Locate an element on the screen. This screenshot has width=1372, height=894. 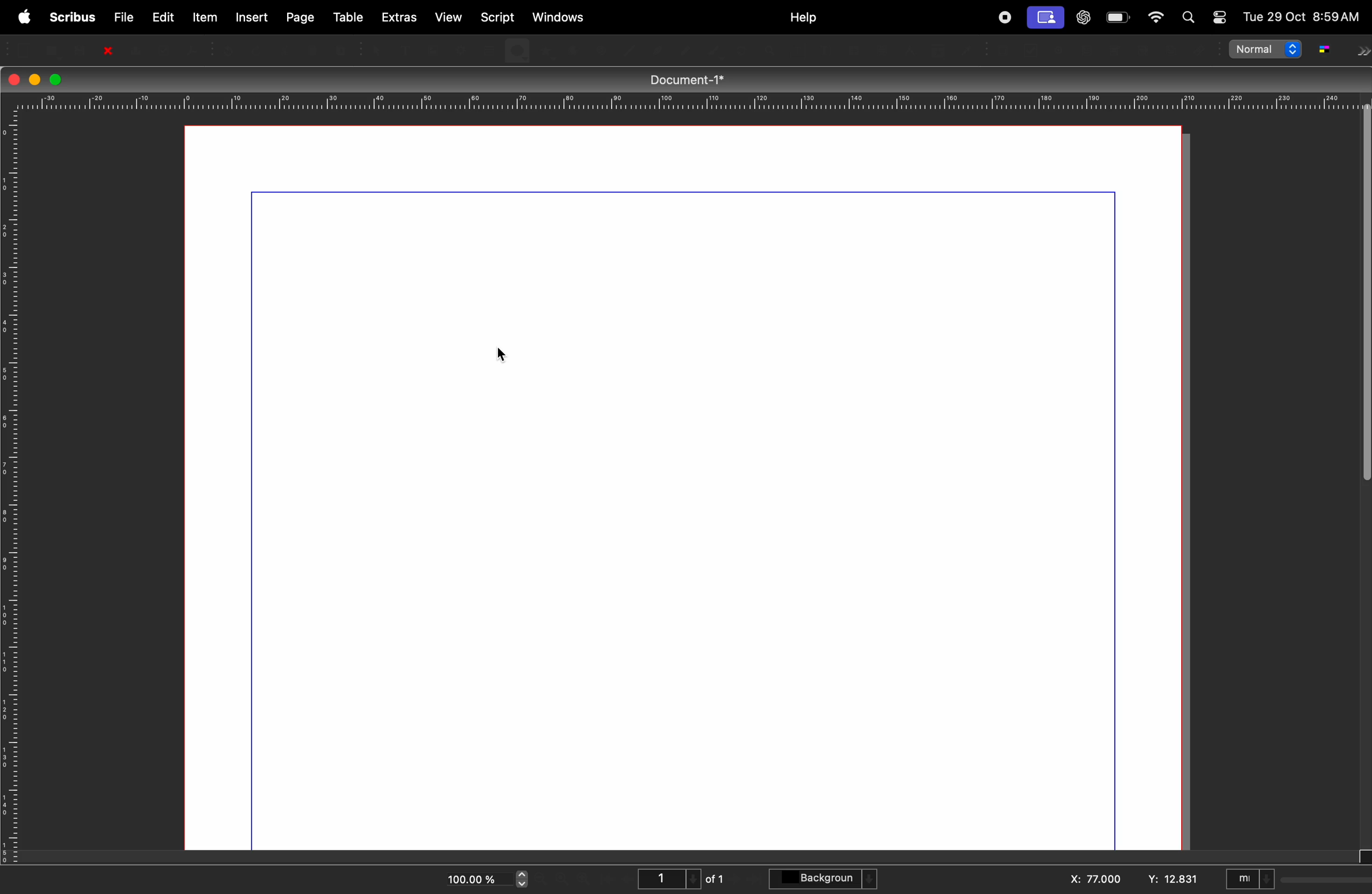
extras is located at coordinates (400, 17).